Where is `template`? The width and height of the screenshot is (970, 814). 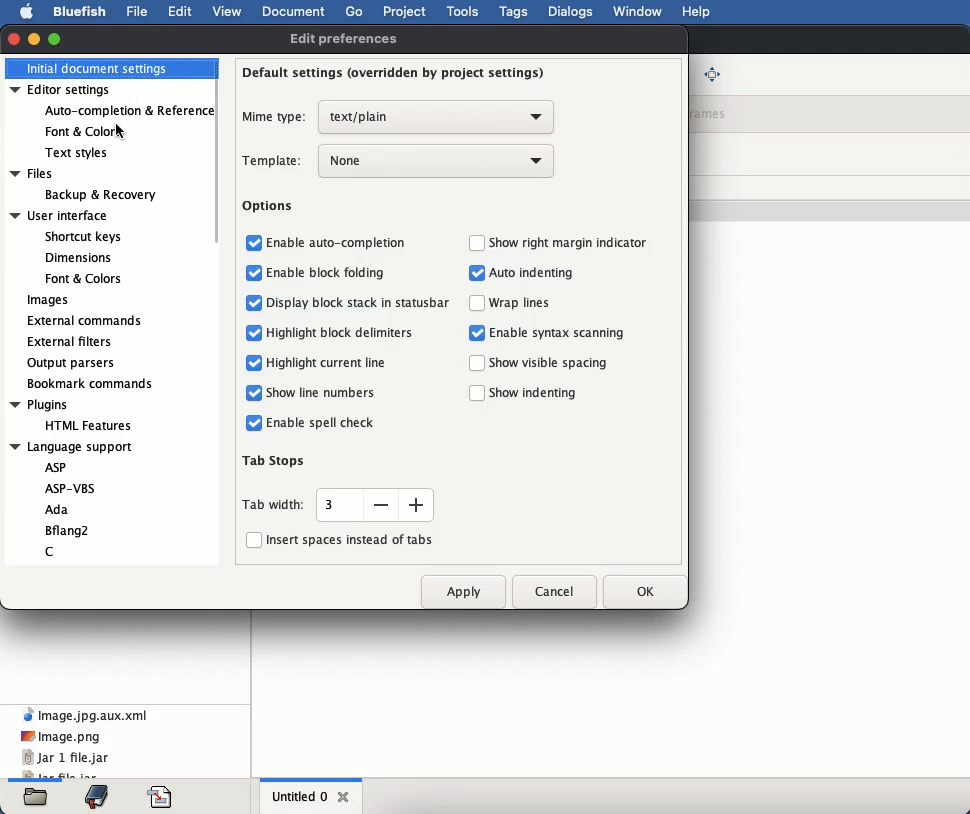
template is located at coordinates (274, 162).